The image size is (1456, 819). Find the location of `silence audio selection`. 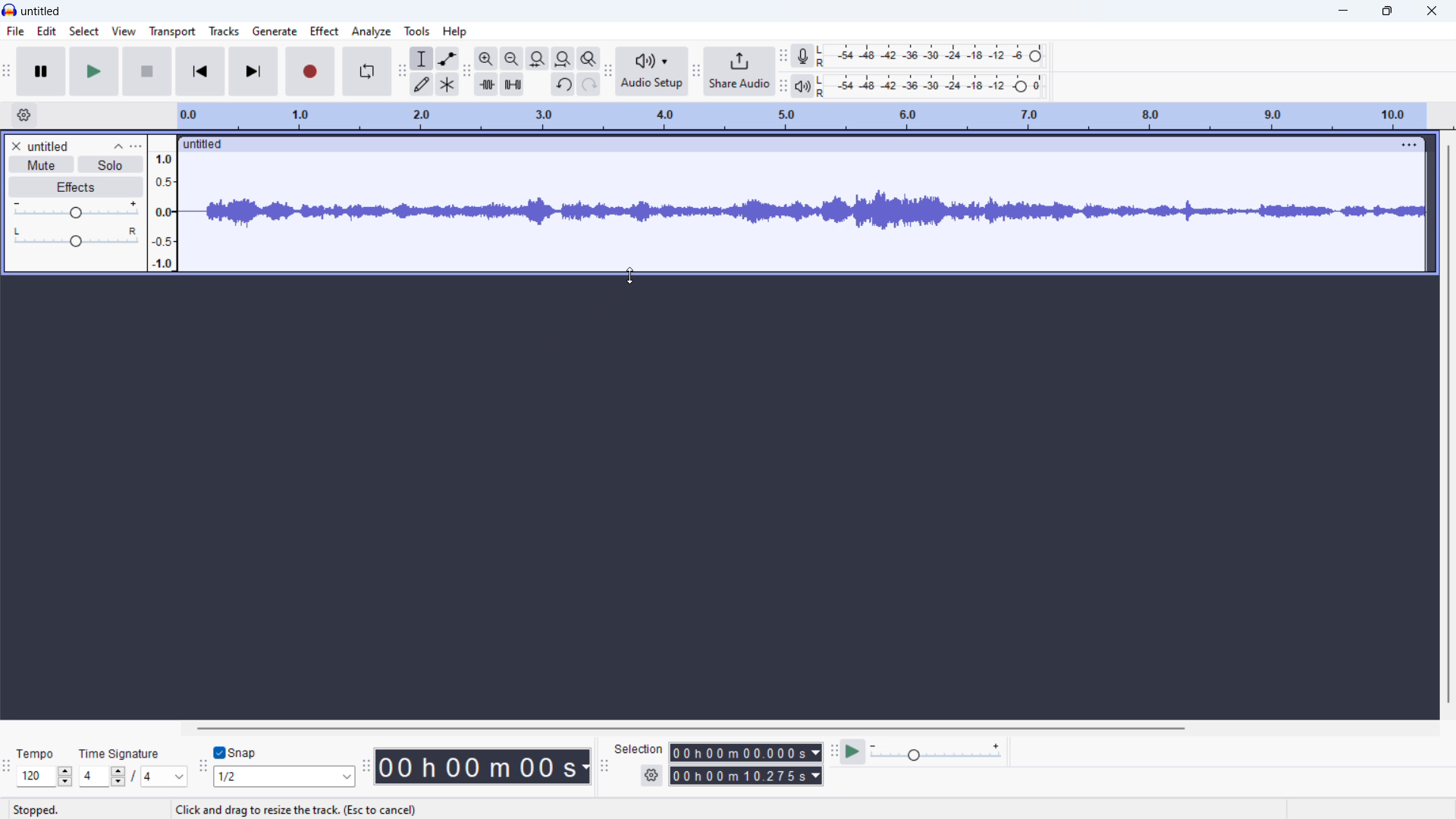

silence audio selection is located at coordinates (512, 84).